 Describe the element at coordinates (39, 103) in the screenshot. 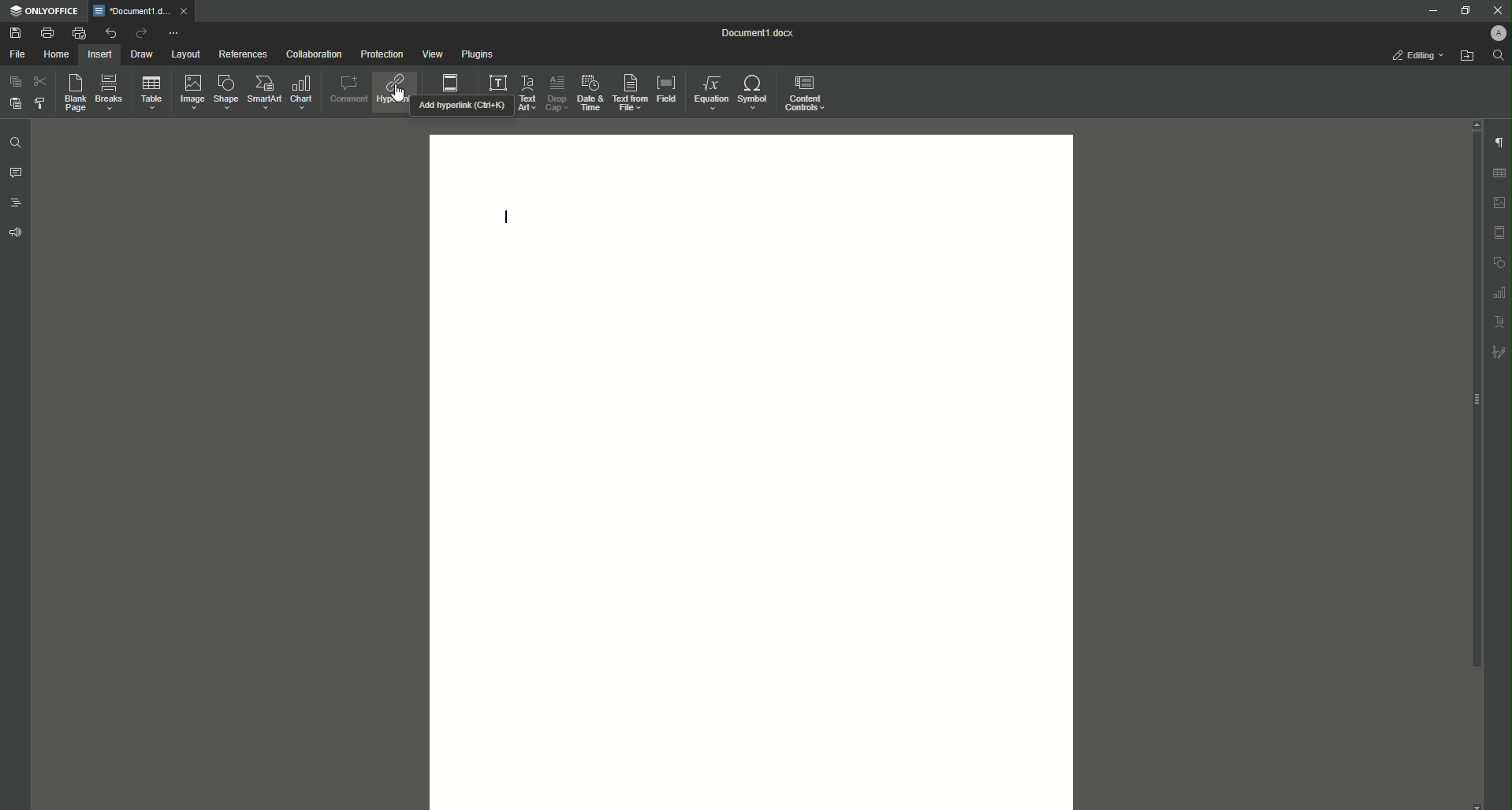

I see `Choose Styling` at that location.